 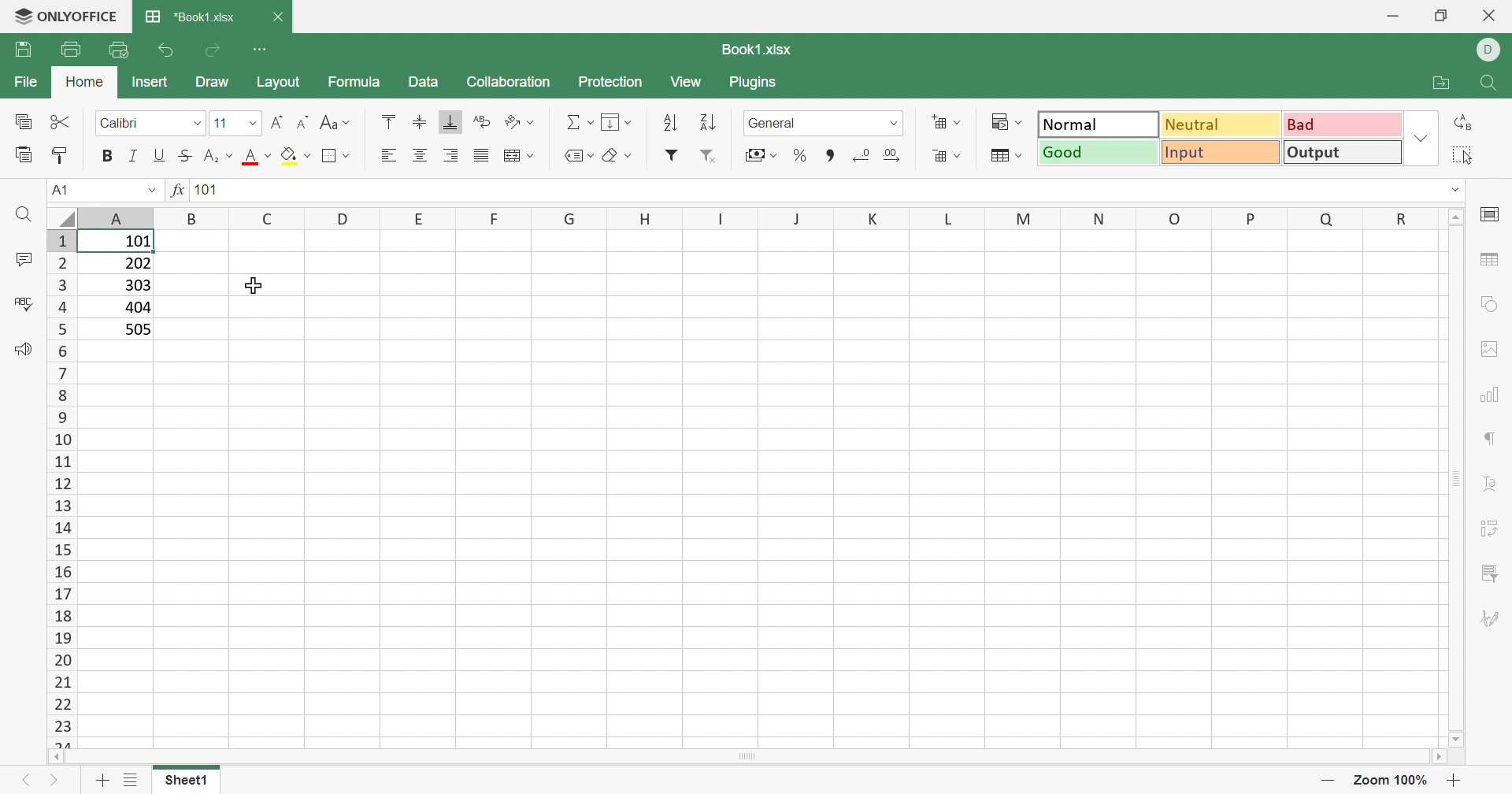 I want to click on *Book1.xlsx, so click(x=191, y=19).